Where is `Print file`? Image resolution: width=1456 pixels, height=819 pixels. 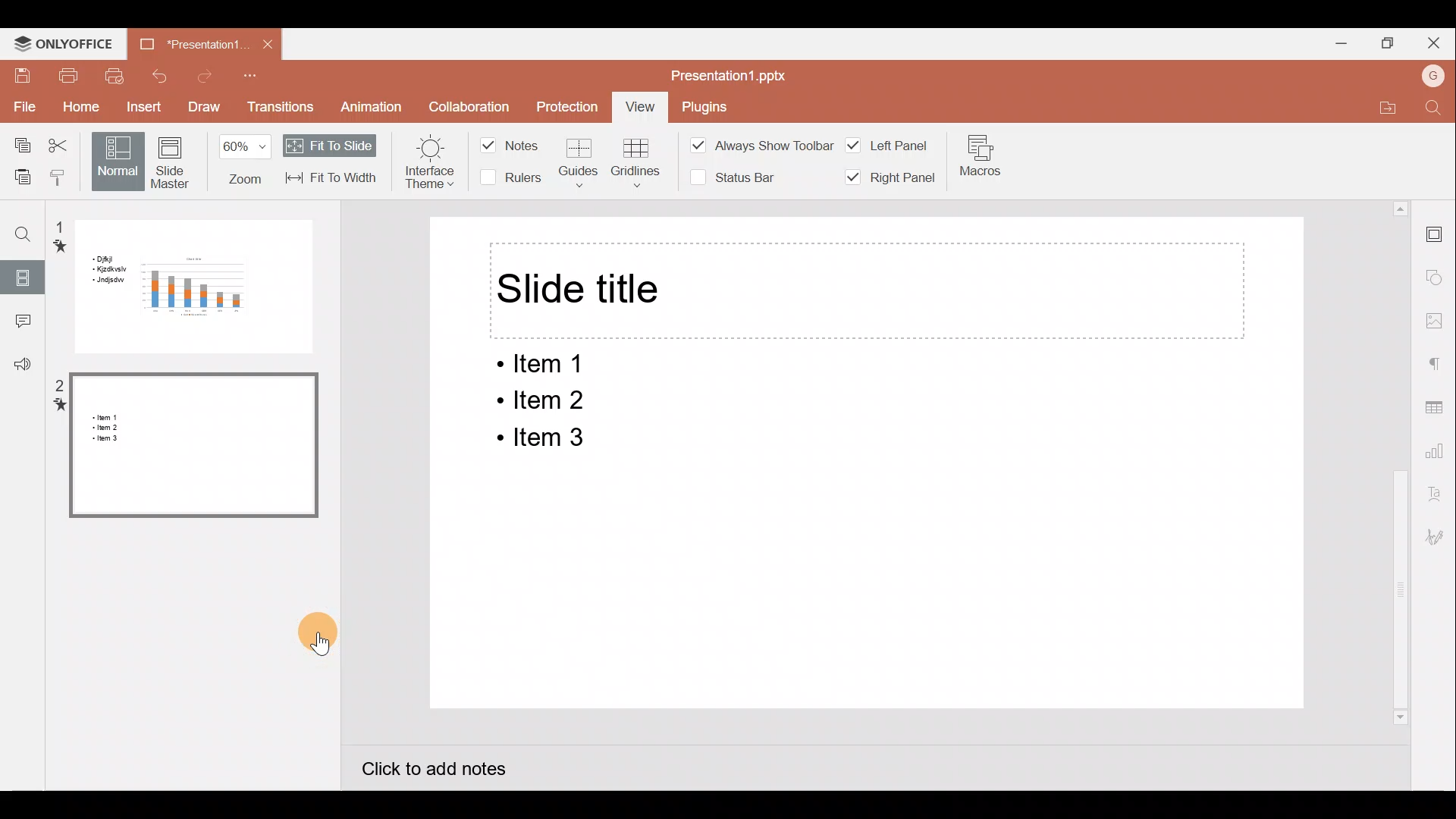
Print file is located at coordinates (59, 74).